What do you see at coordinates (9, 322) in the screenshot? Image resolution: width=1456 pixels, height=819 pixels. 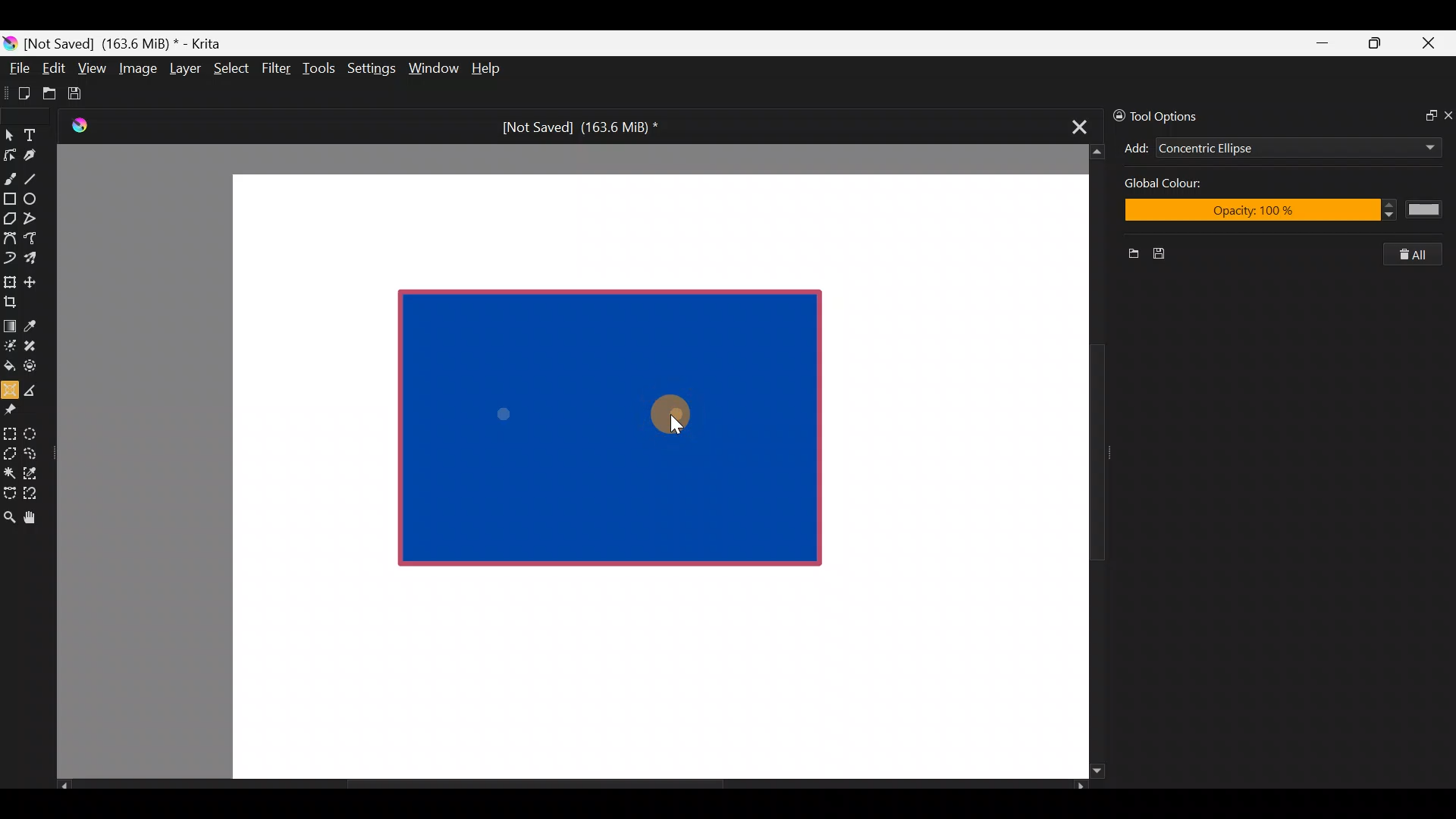 I see `Draw a gradient` at bounding box center [9, 322].